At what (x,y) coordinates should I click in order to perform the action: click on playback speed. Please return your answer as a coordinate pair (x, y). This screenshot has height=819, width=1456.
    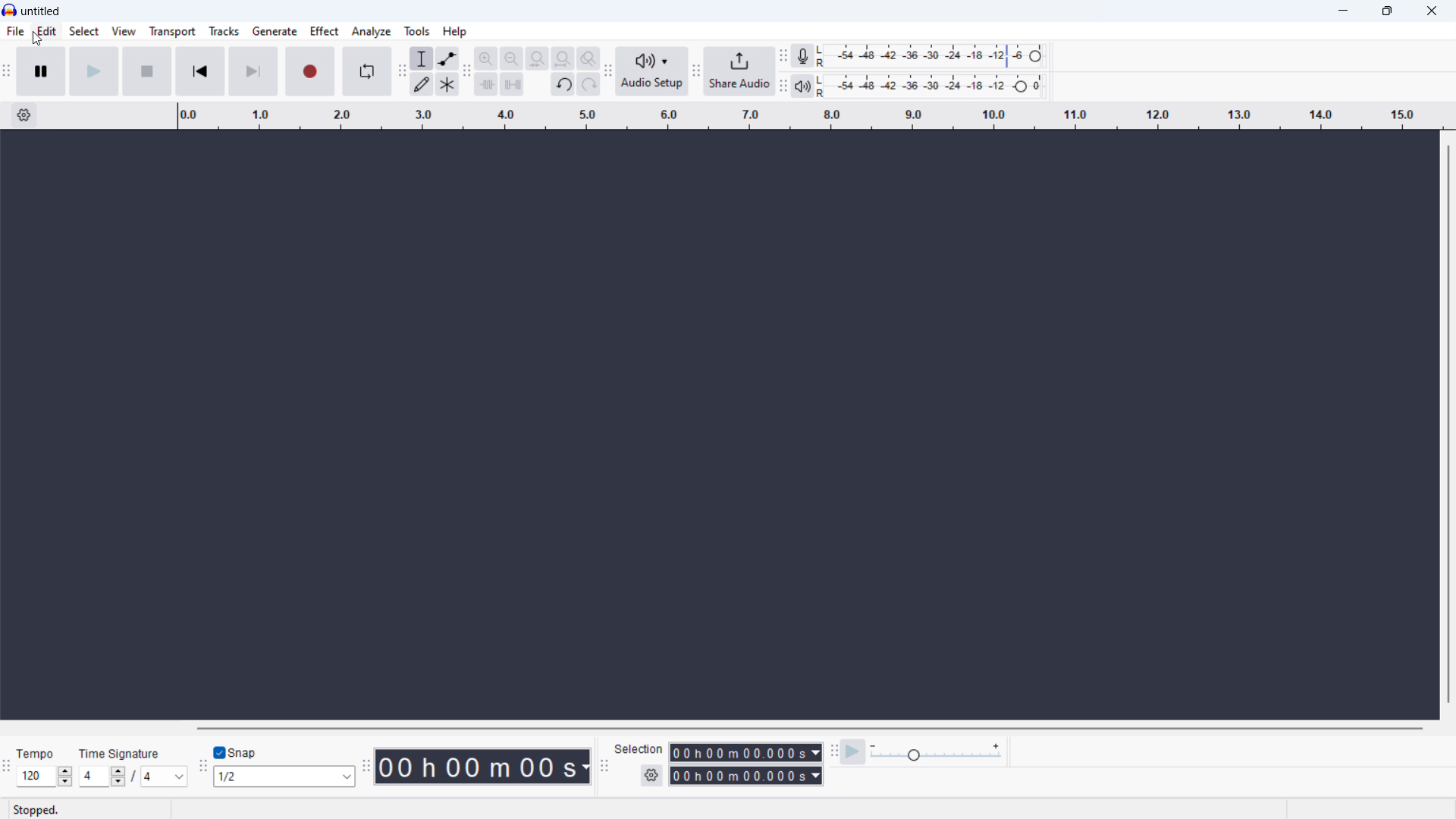
    Looking at the image, I should click on (936, 752).